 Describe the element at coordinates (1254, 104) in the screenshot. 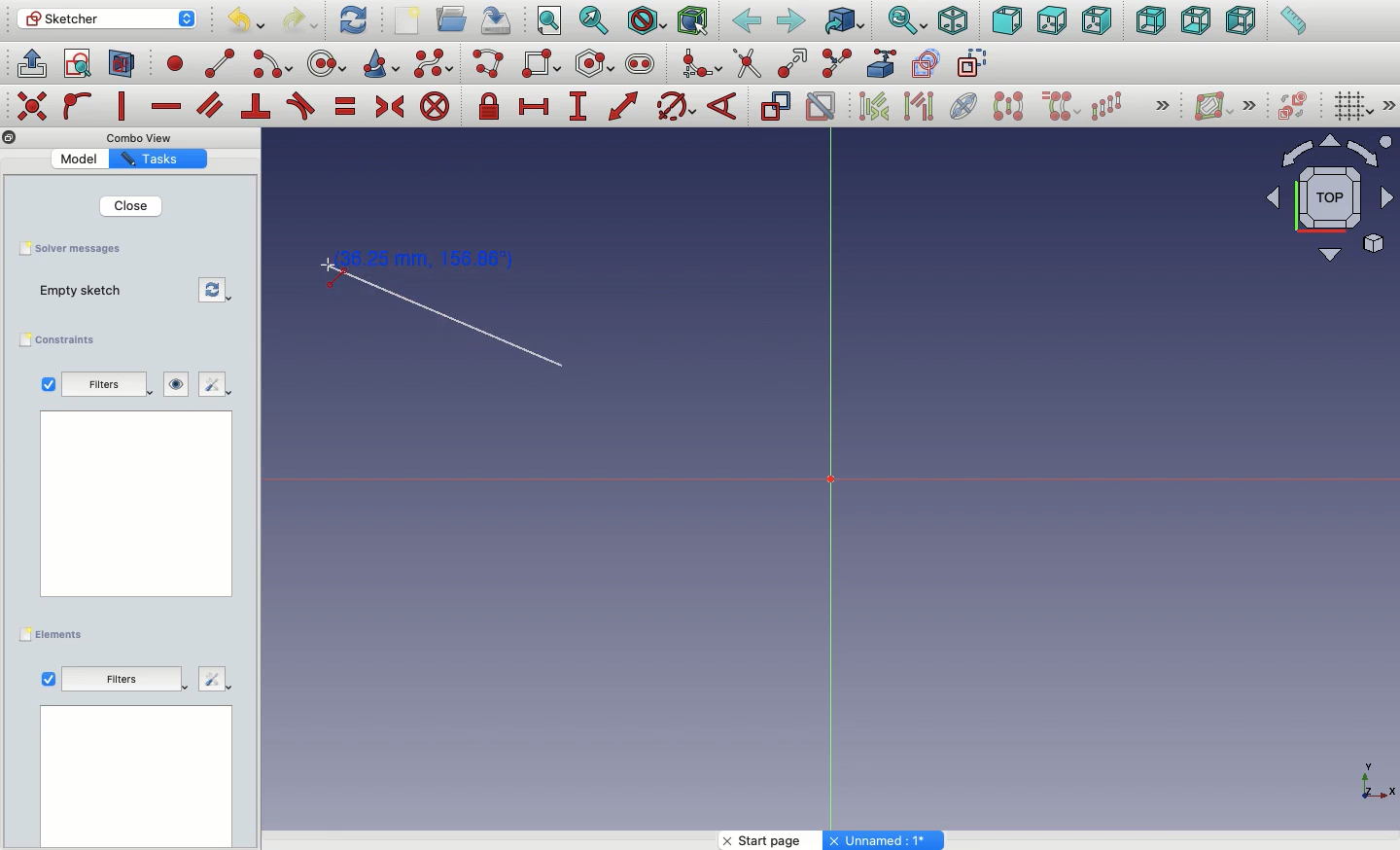

I see `` at that location.